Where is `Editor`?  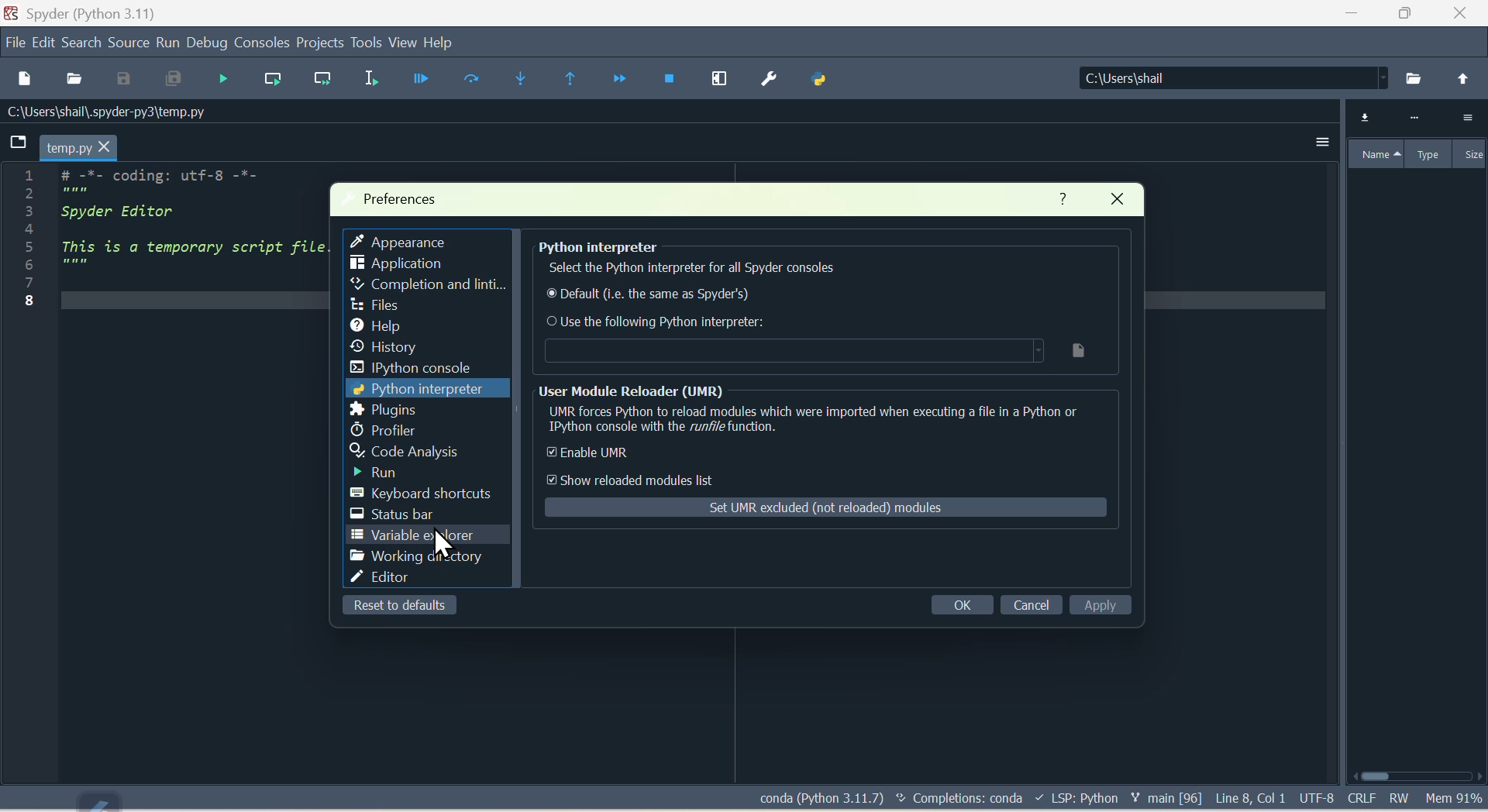 Editor is located at coordinates (380, 577).